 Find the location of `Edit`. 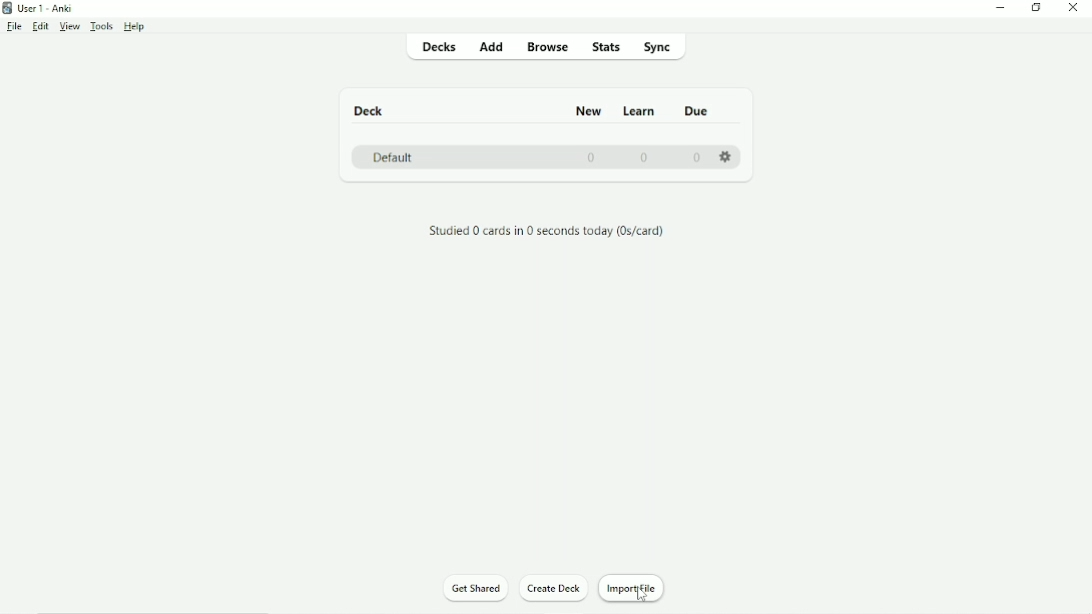

Edit is located at coordinates (40, 27).